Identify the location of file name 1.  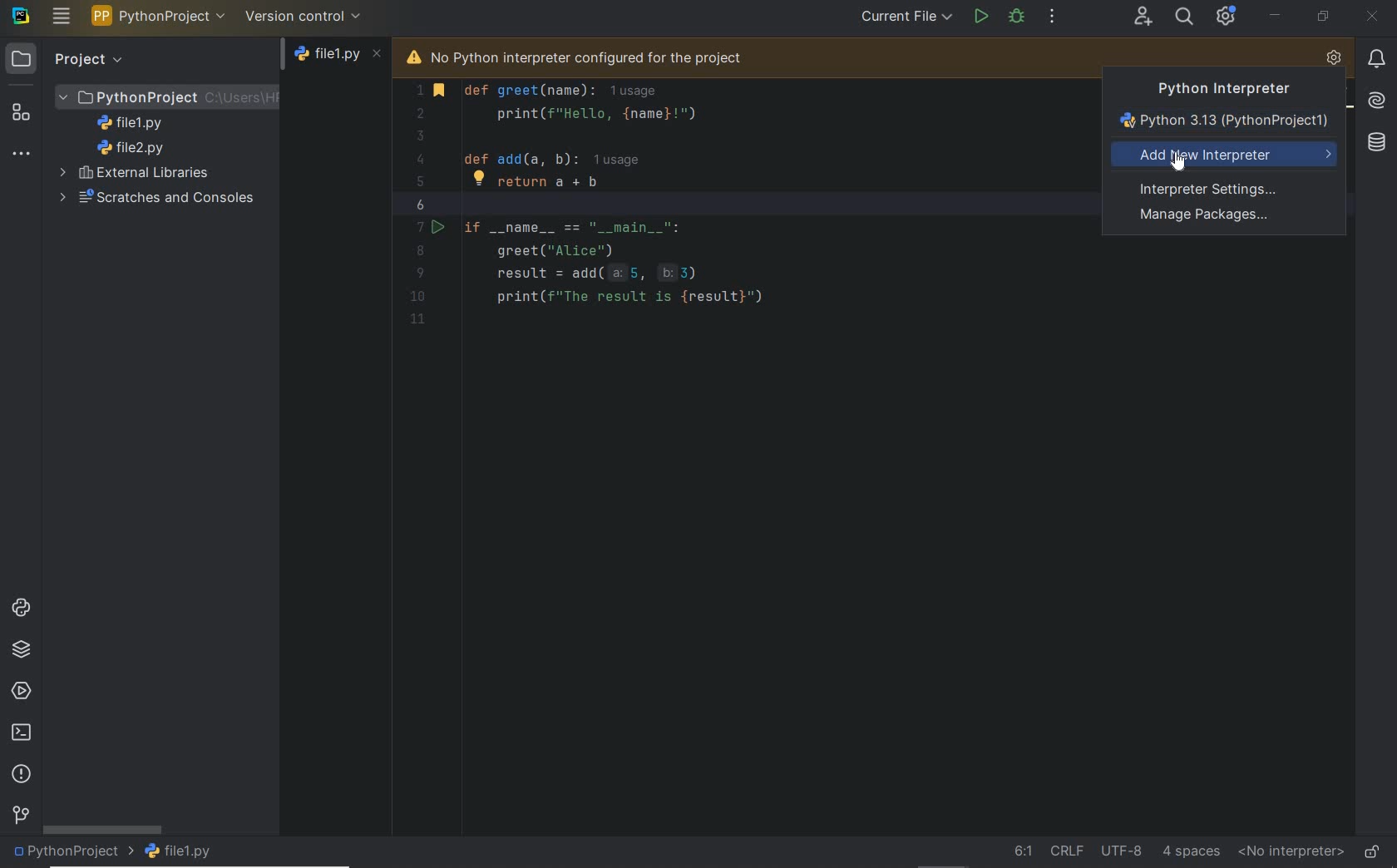
(135, 123).